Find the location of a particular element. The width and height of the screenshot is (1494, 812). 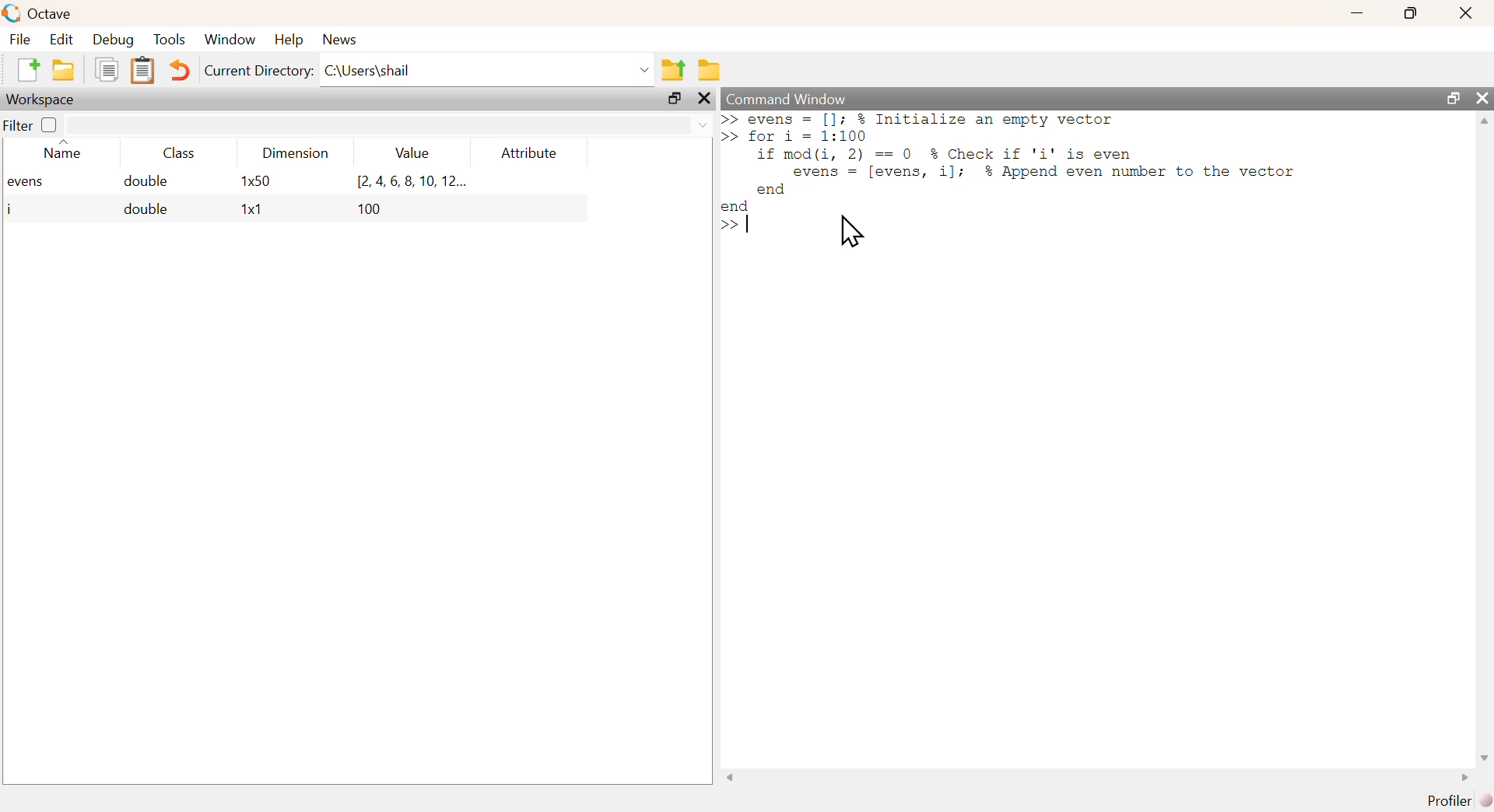

profiler is located at coordinates (1450, 800).